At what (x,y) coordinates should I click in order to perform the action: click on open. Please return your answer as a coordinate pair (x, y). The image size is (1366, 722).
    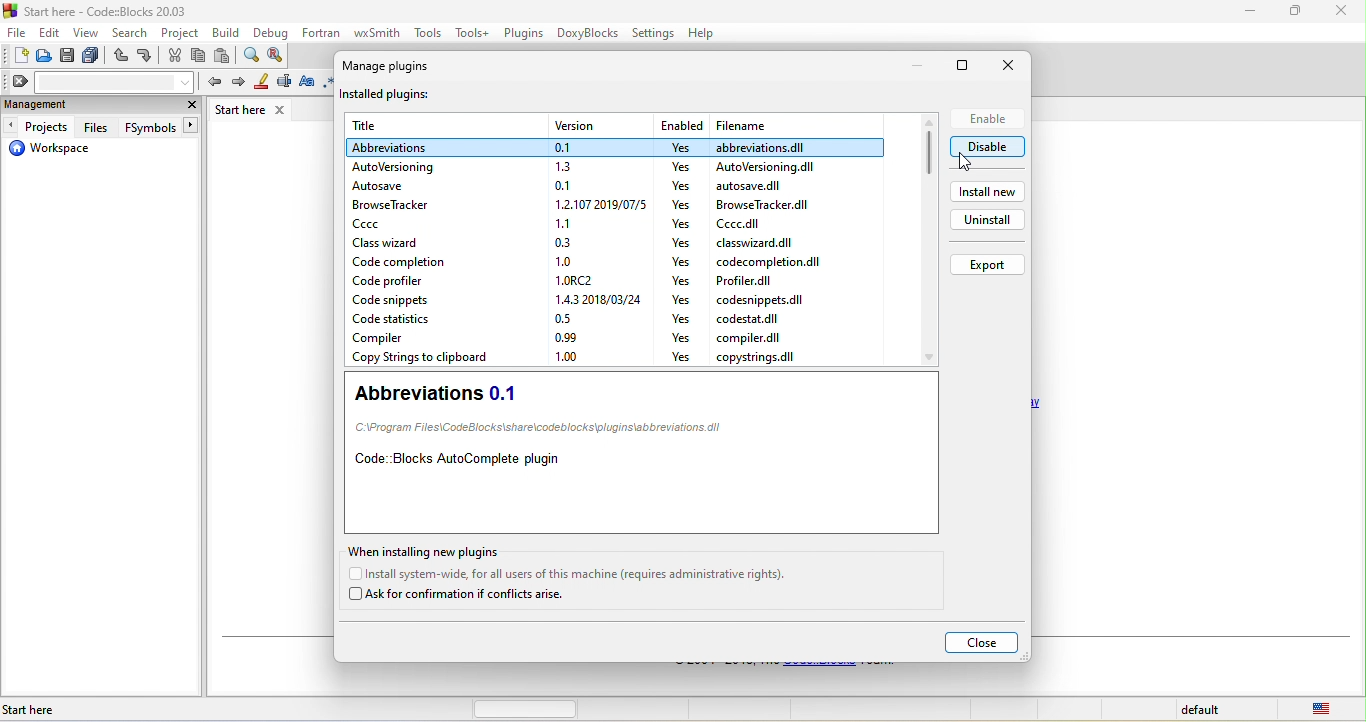
    Looking at the image, I should click on (45, 56).